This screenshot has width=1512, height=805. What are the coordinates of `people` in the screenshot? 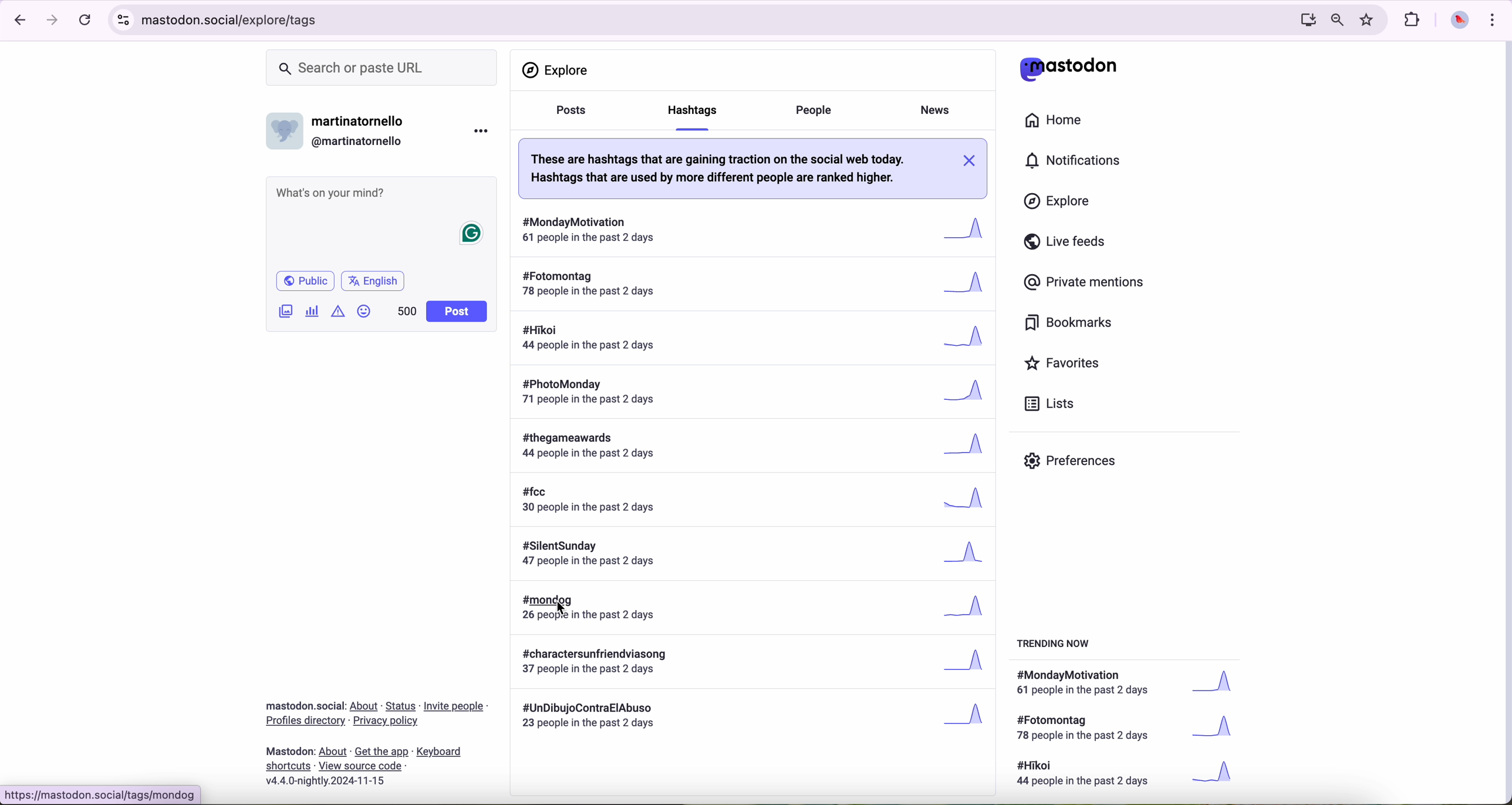 It's located at (818, 109).